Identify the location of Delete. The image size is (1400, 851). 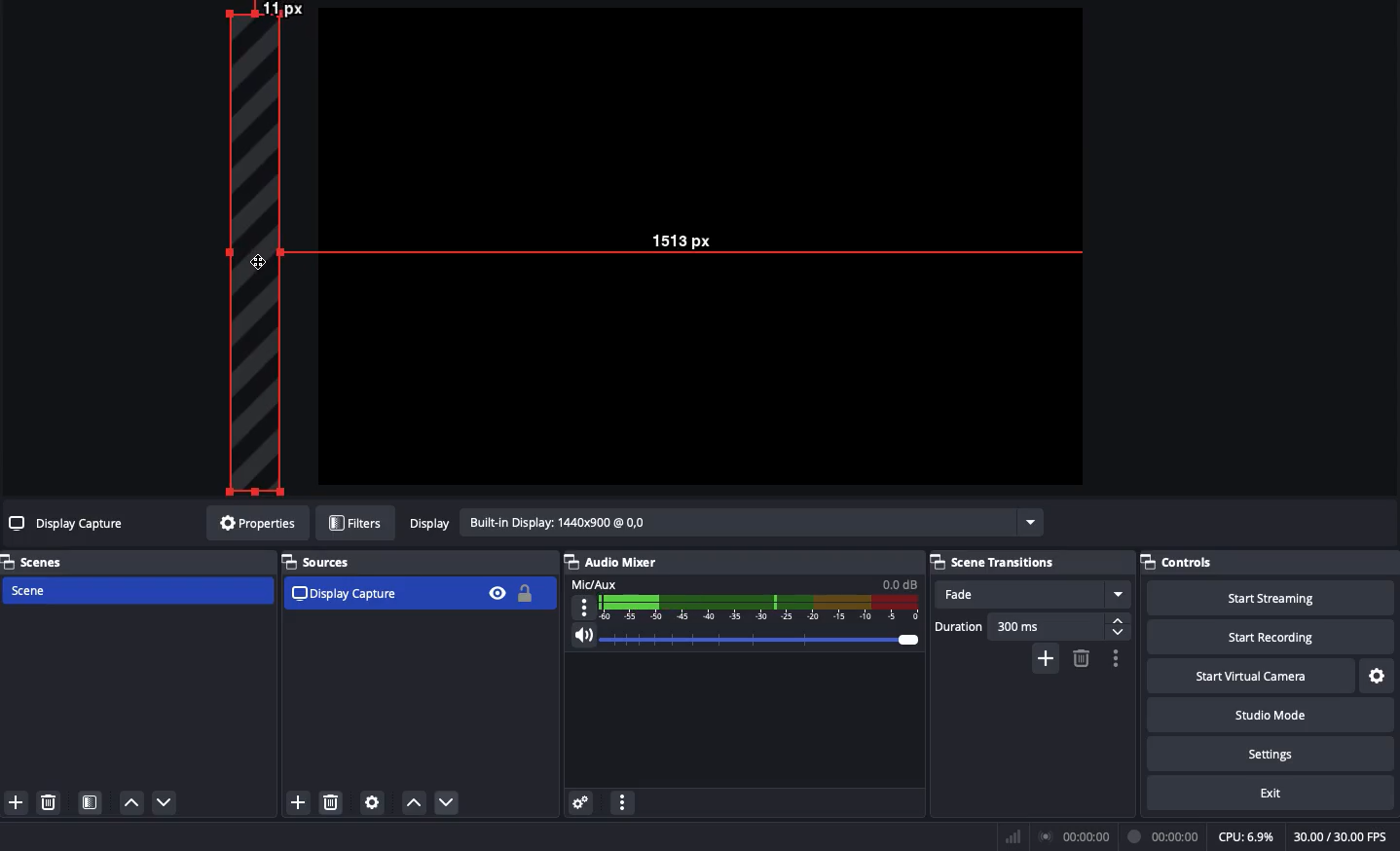
(1080, 658).